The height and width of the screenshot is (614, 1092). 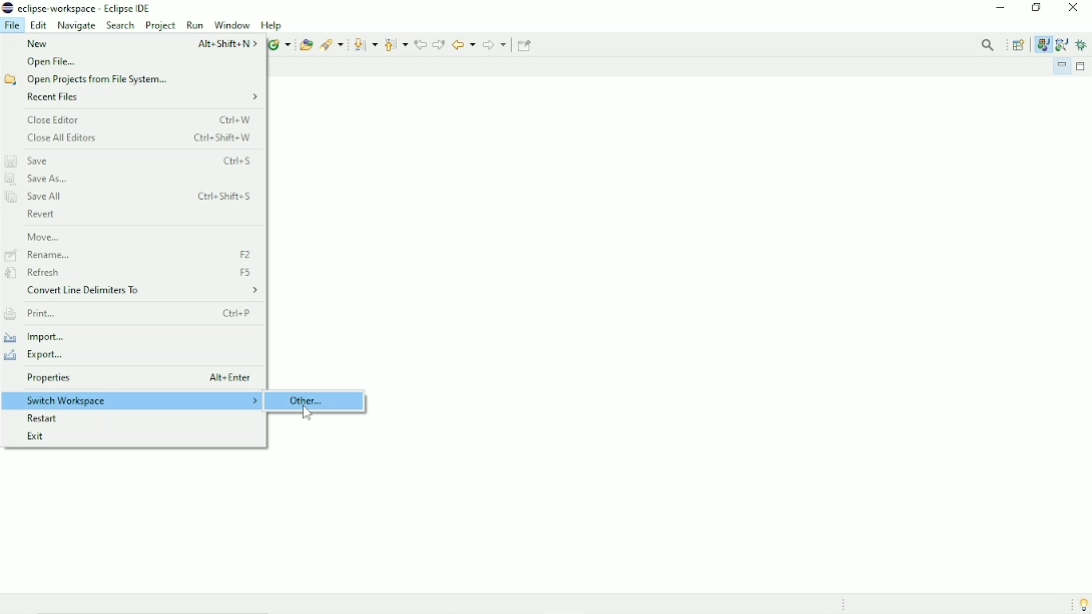 I want to click on Debug, so click(x=1083, y=46).